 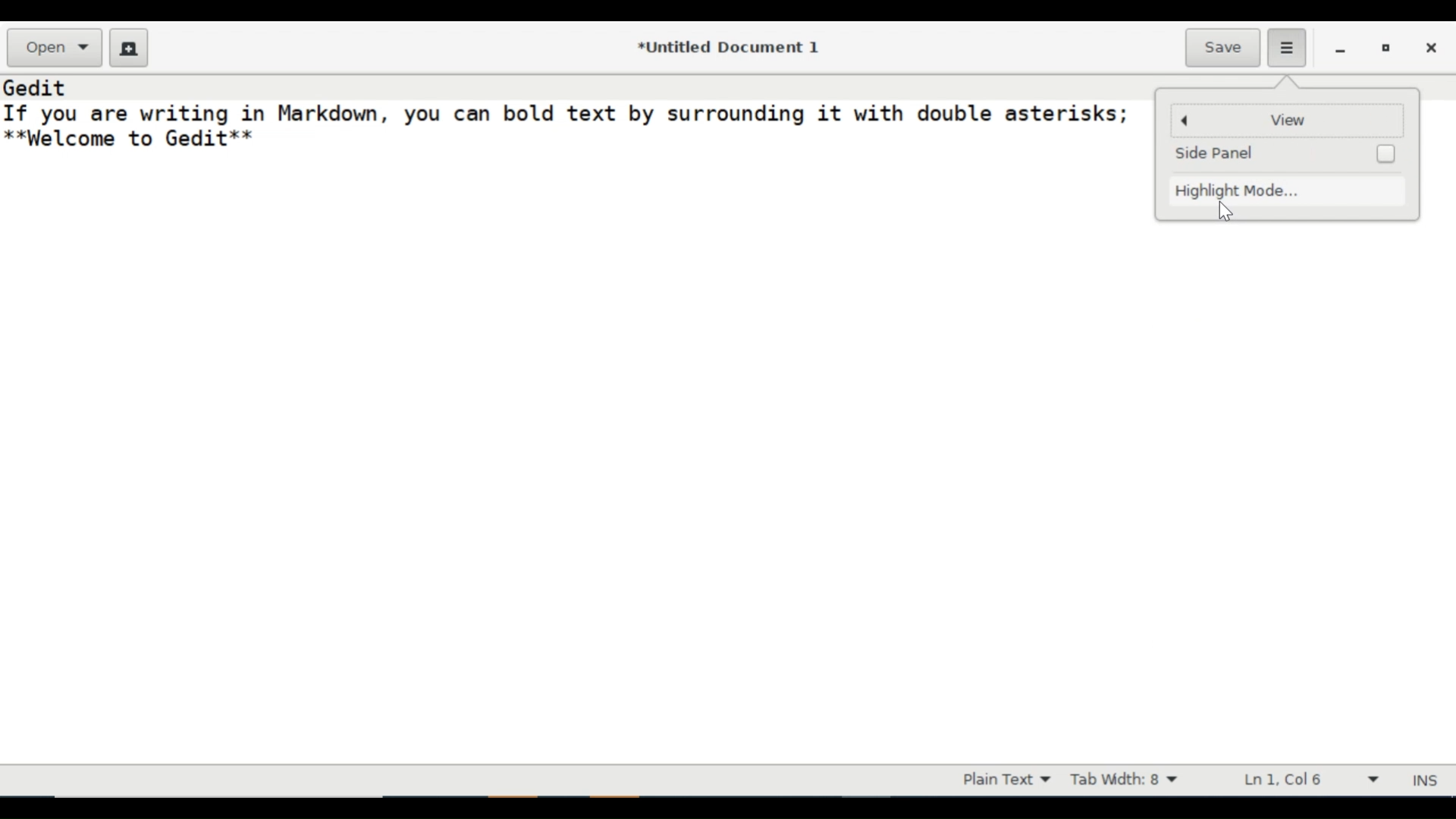 I want to click on Create a new Document, so click(x=128, y=47).